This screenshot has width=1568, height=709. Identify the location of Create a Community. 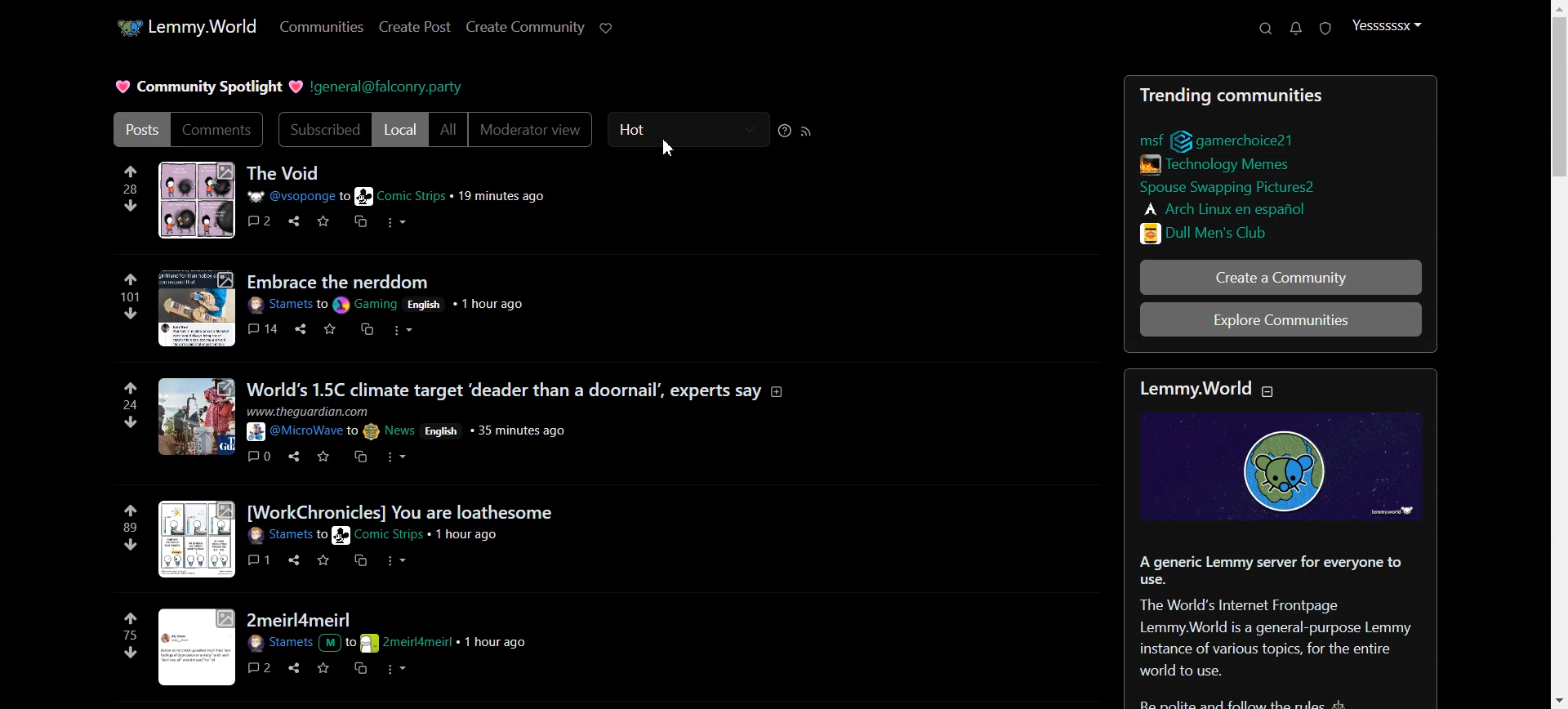
(1280, 279).